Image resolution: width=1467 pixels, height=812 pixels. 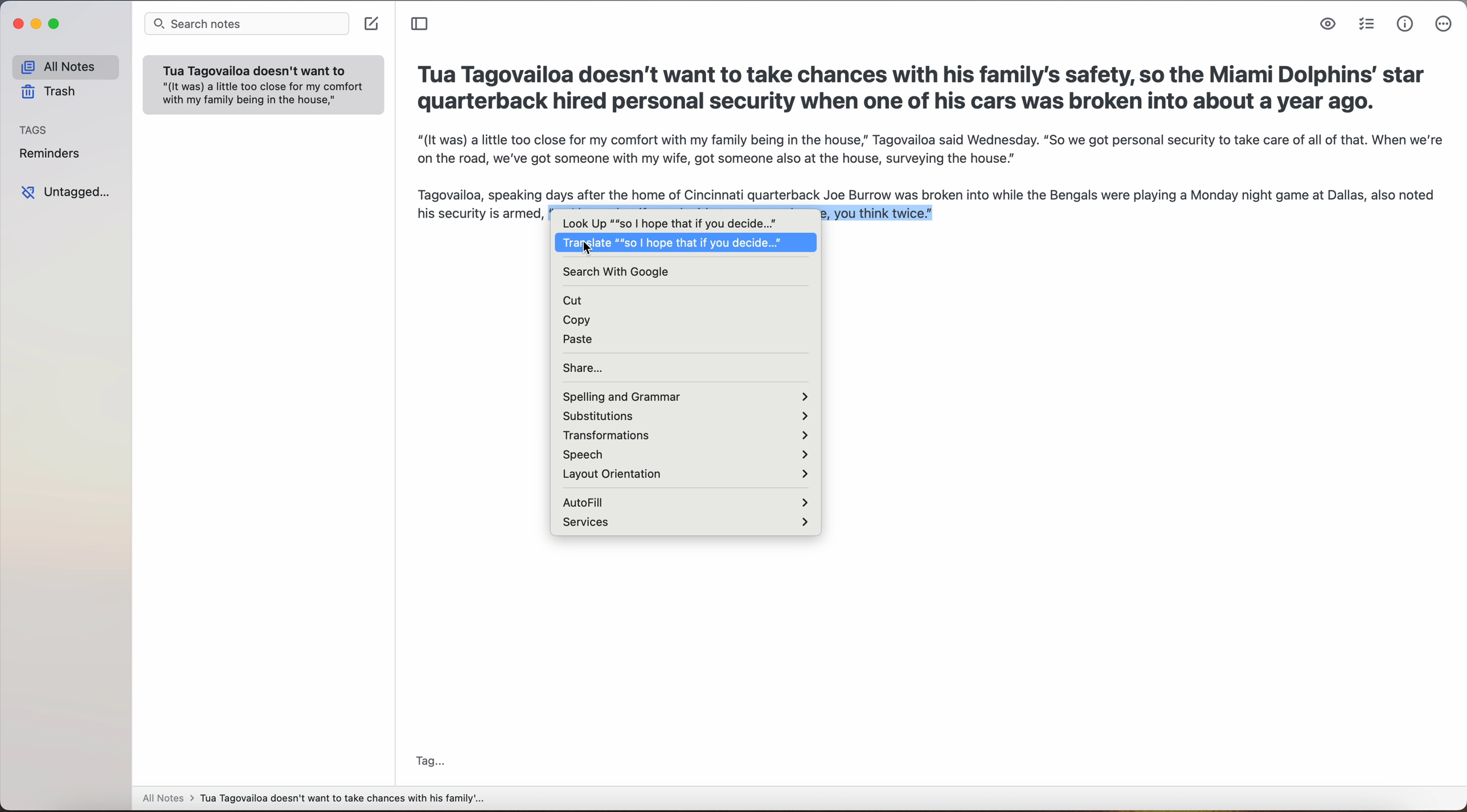 What do you see at coordinates (263, 85) in the screenshot?
I see `note: Tua Tagovailoa doesn't want to` at bounding box center [263, 85].